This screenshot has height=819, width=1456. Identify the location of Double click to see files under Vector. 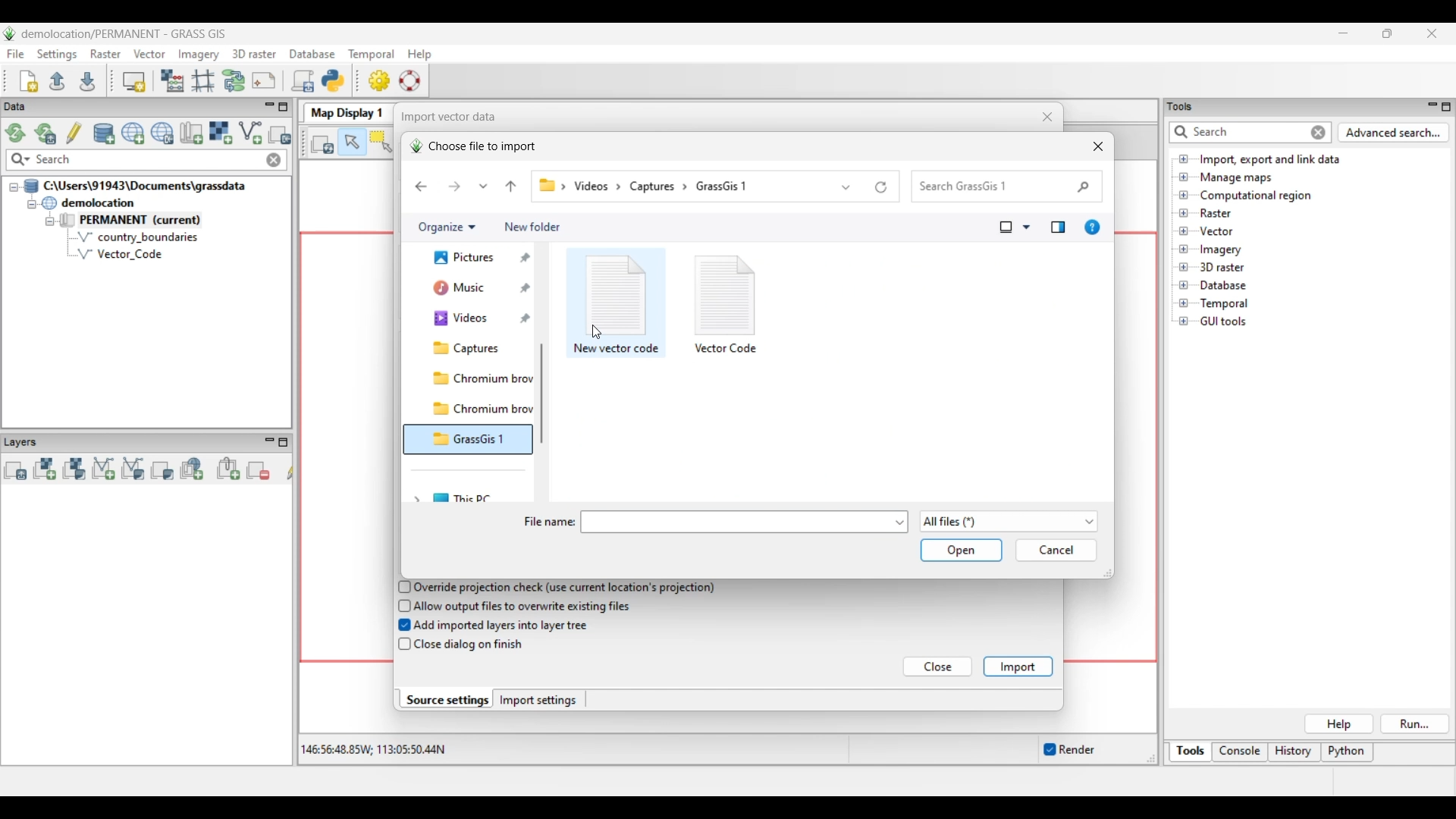
(1216, 231).